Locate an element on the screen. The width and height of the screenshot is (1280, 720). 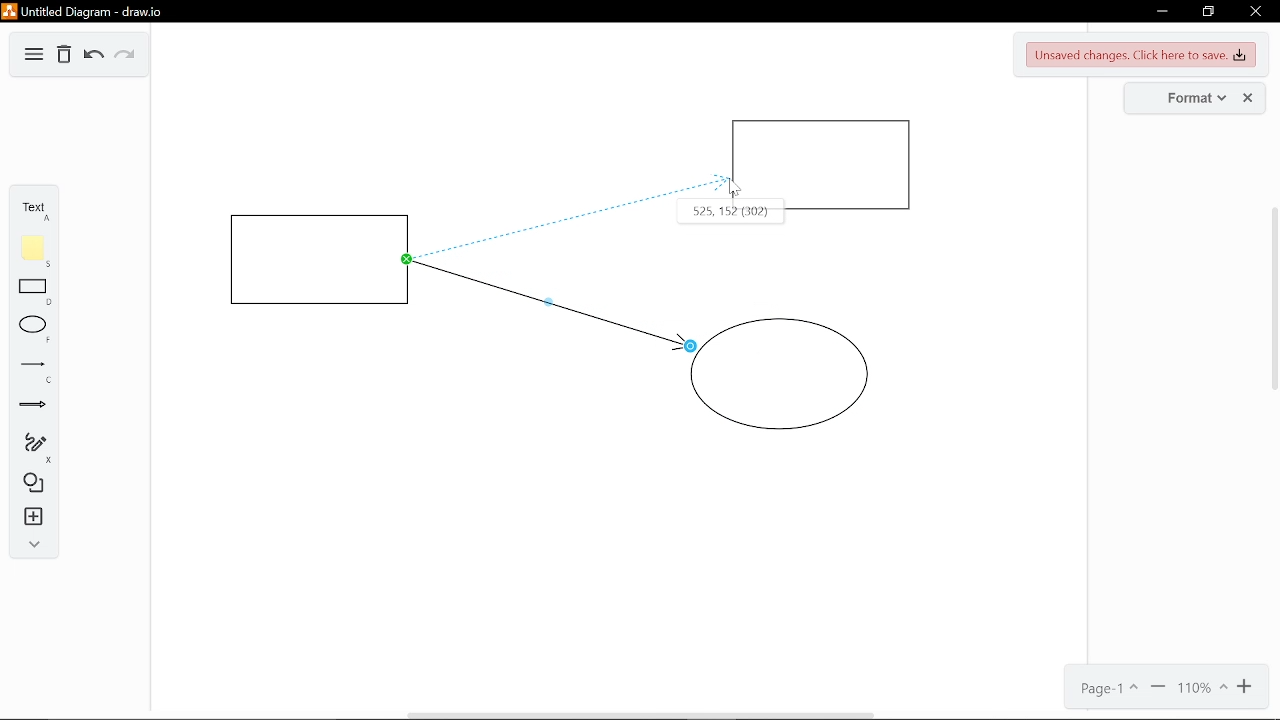
Freehand is located at coordinates (32, 447).